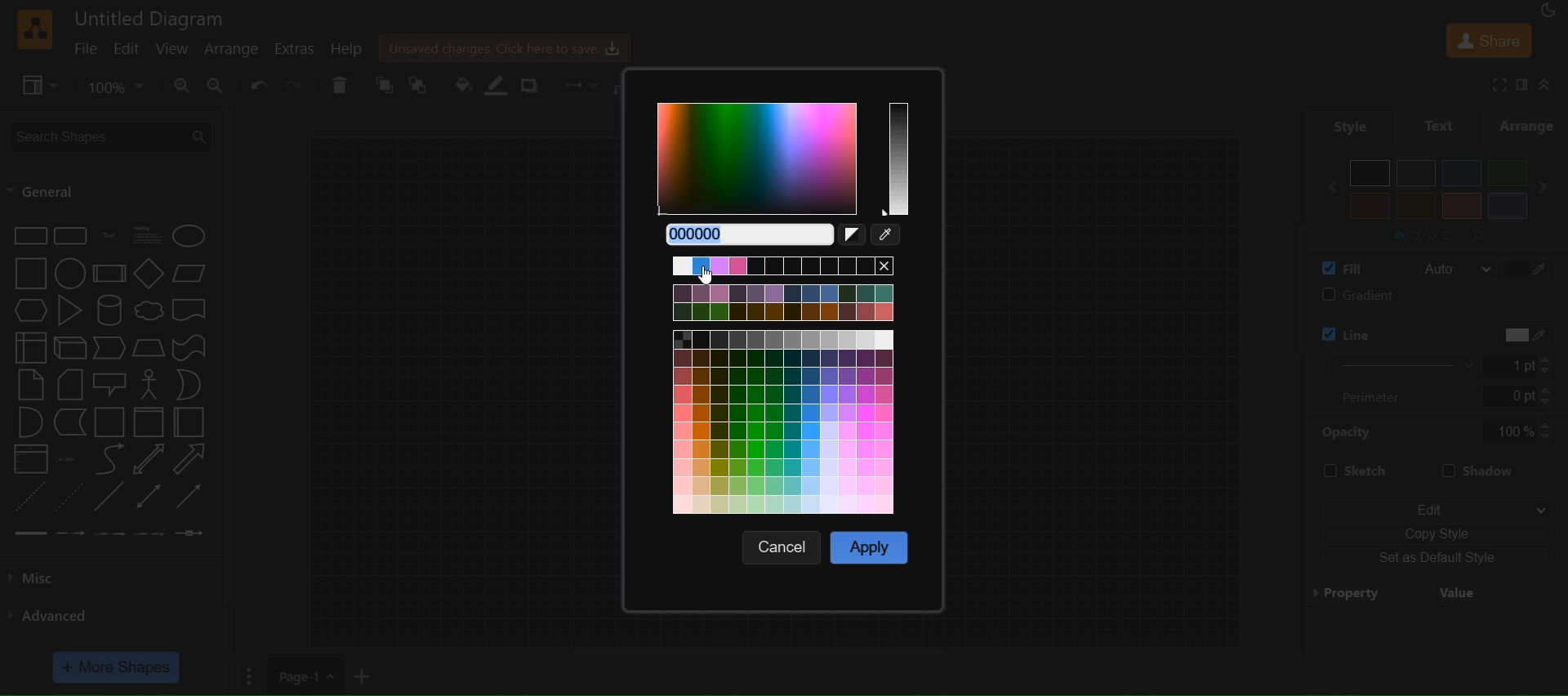 This screenshot has height=696, width=1568. Describe the element at coordinates (33, 29) in the screenshot. I see `logo` at that location.